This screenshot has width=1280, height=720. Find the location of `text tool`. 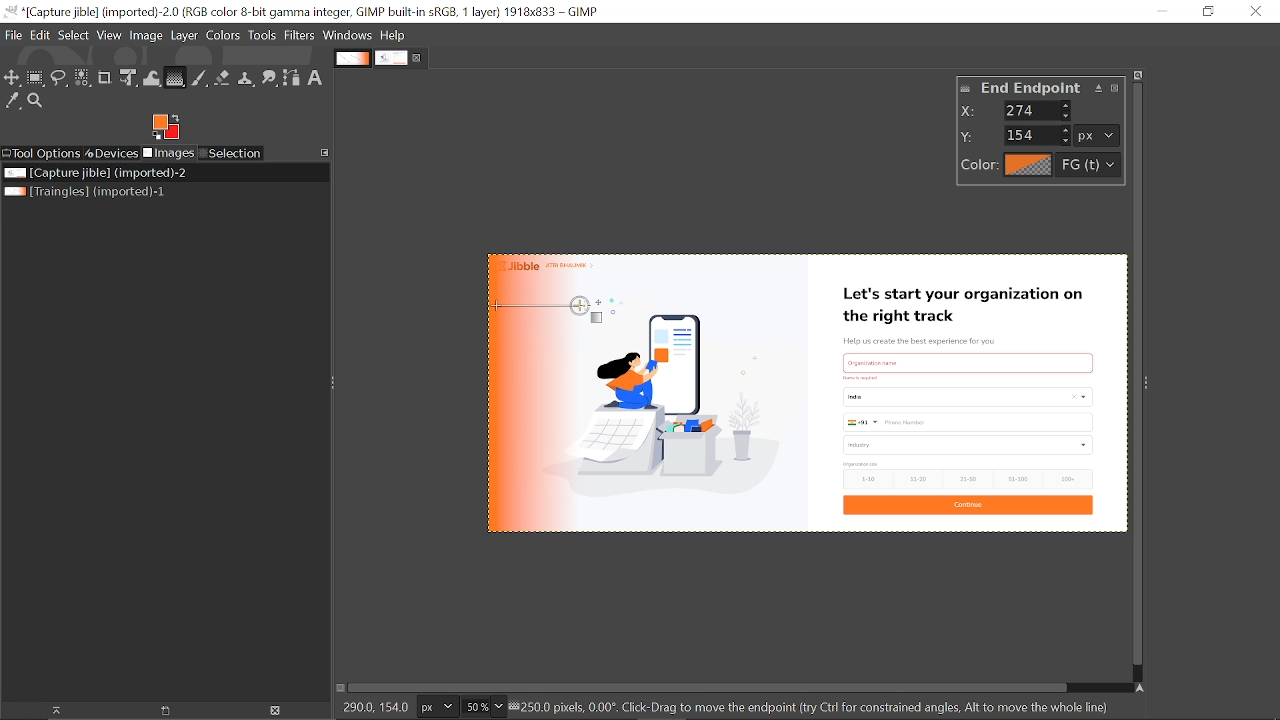

text tool is located at coordinates (318, 78).